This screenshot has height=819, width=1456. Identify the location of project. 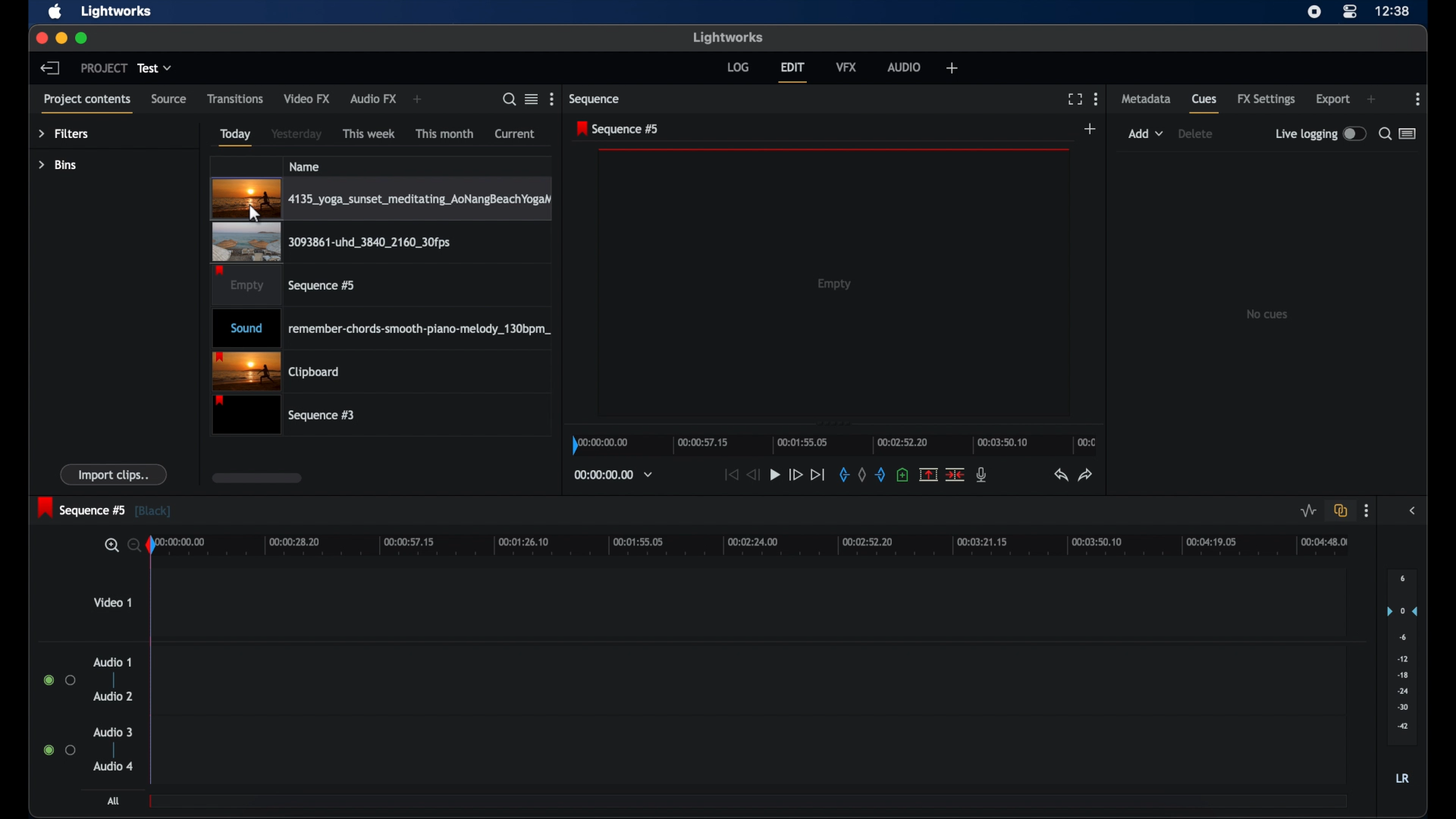
(102, 67).